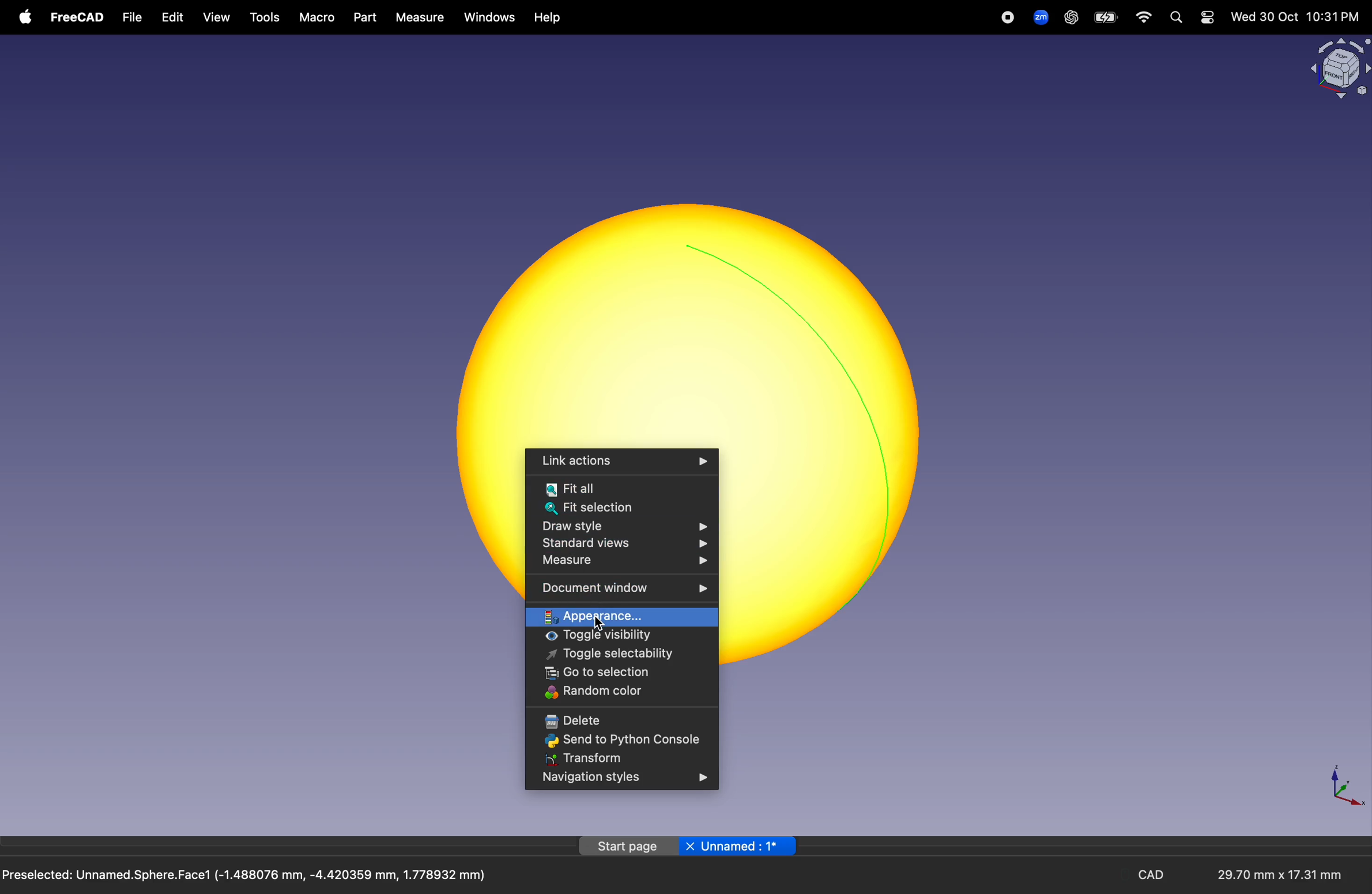 The height and width of the screenshot is (894, 1372). Describe the element at coordinates (1106, 18) in the screenshot. I see `battery` at that location.